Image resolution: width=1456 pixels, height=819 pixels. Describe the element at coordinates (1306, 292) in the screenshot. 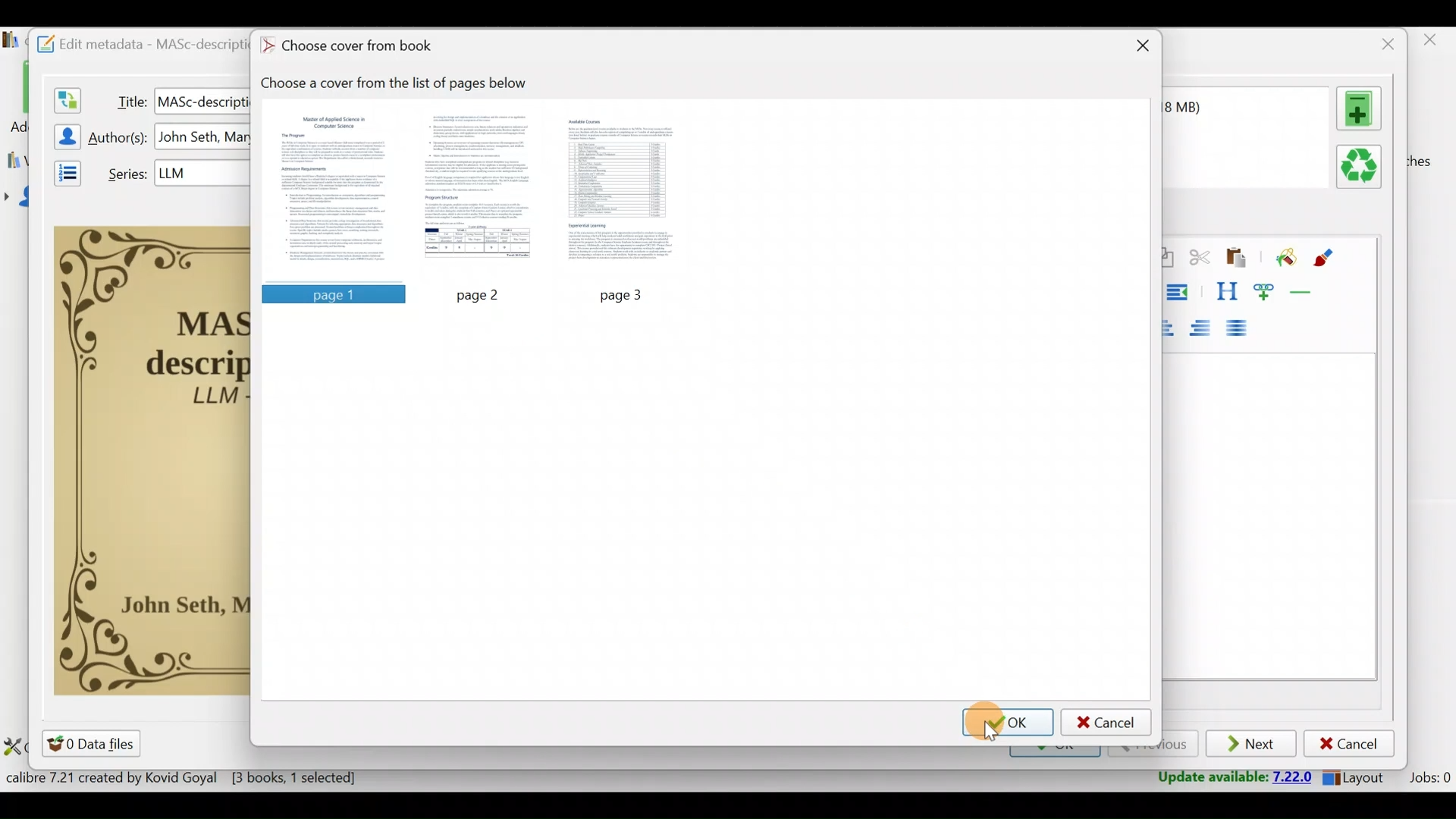

I see `Insert separator` at that location.